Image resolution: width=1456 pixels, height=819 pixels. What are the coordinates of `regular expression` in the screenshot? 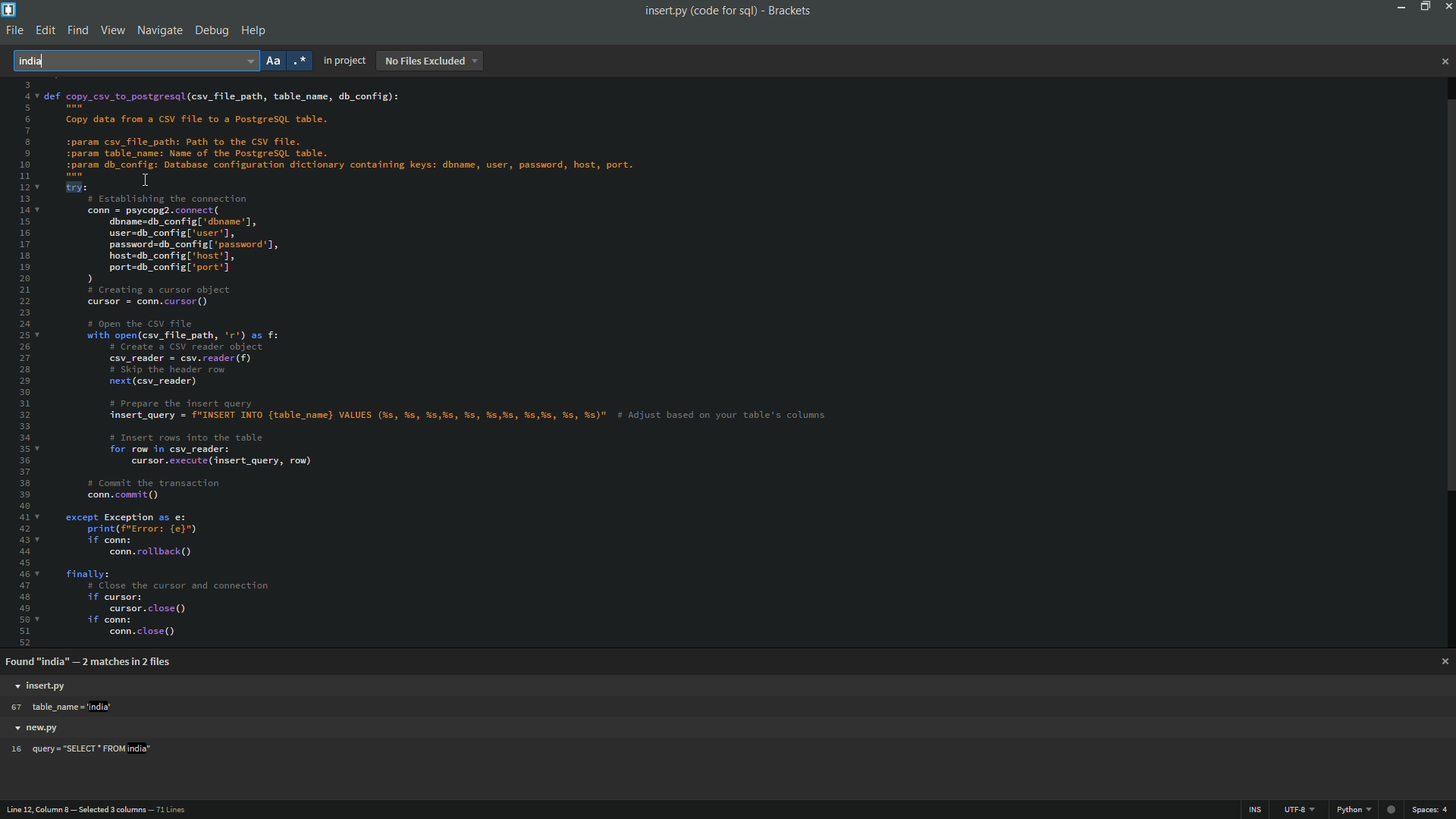 It's located at (301, 61).